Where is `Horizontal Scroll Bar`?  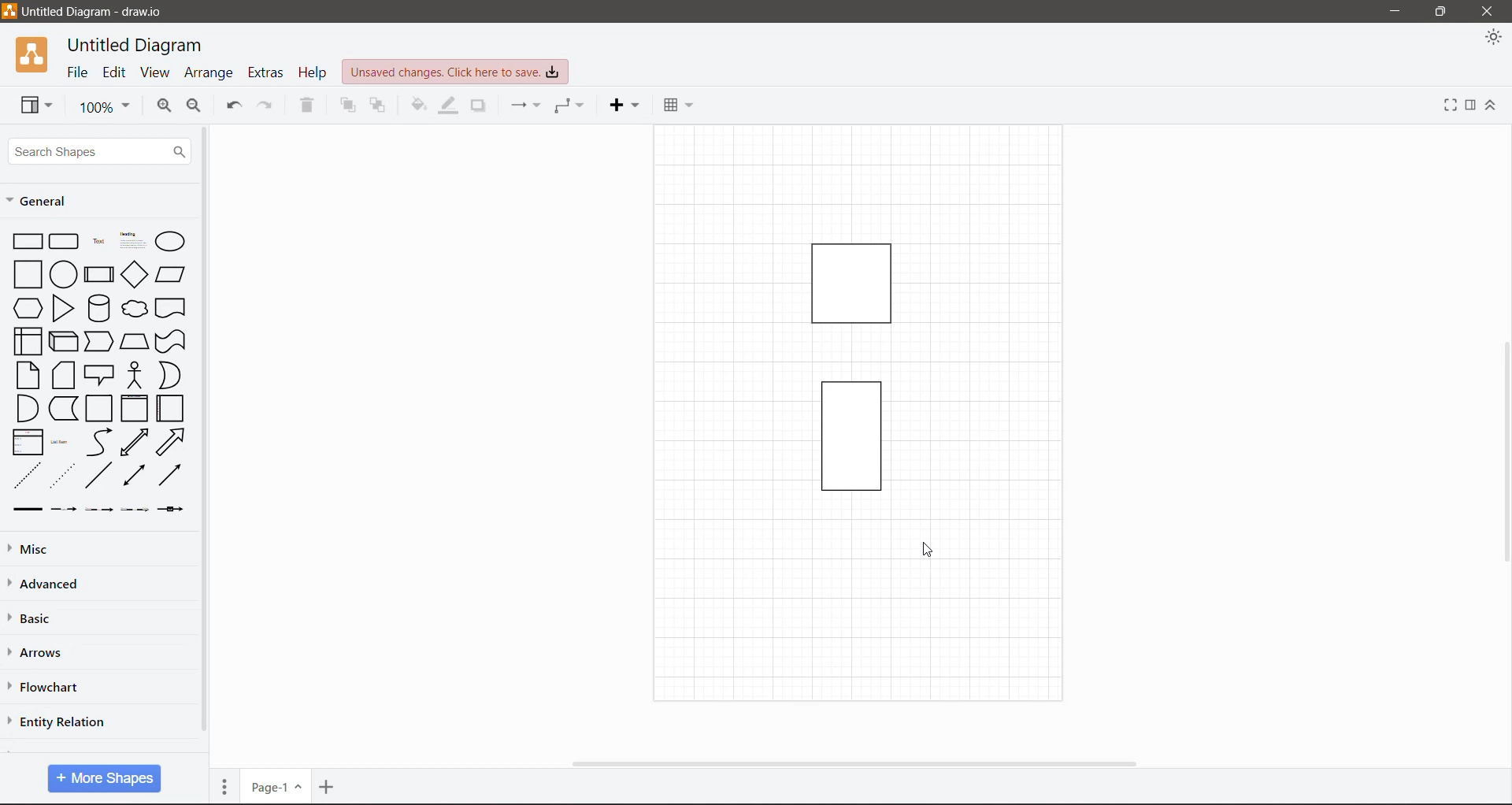 Horizontal Scroll Bar is located at coordinates (861, 764).